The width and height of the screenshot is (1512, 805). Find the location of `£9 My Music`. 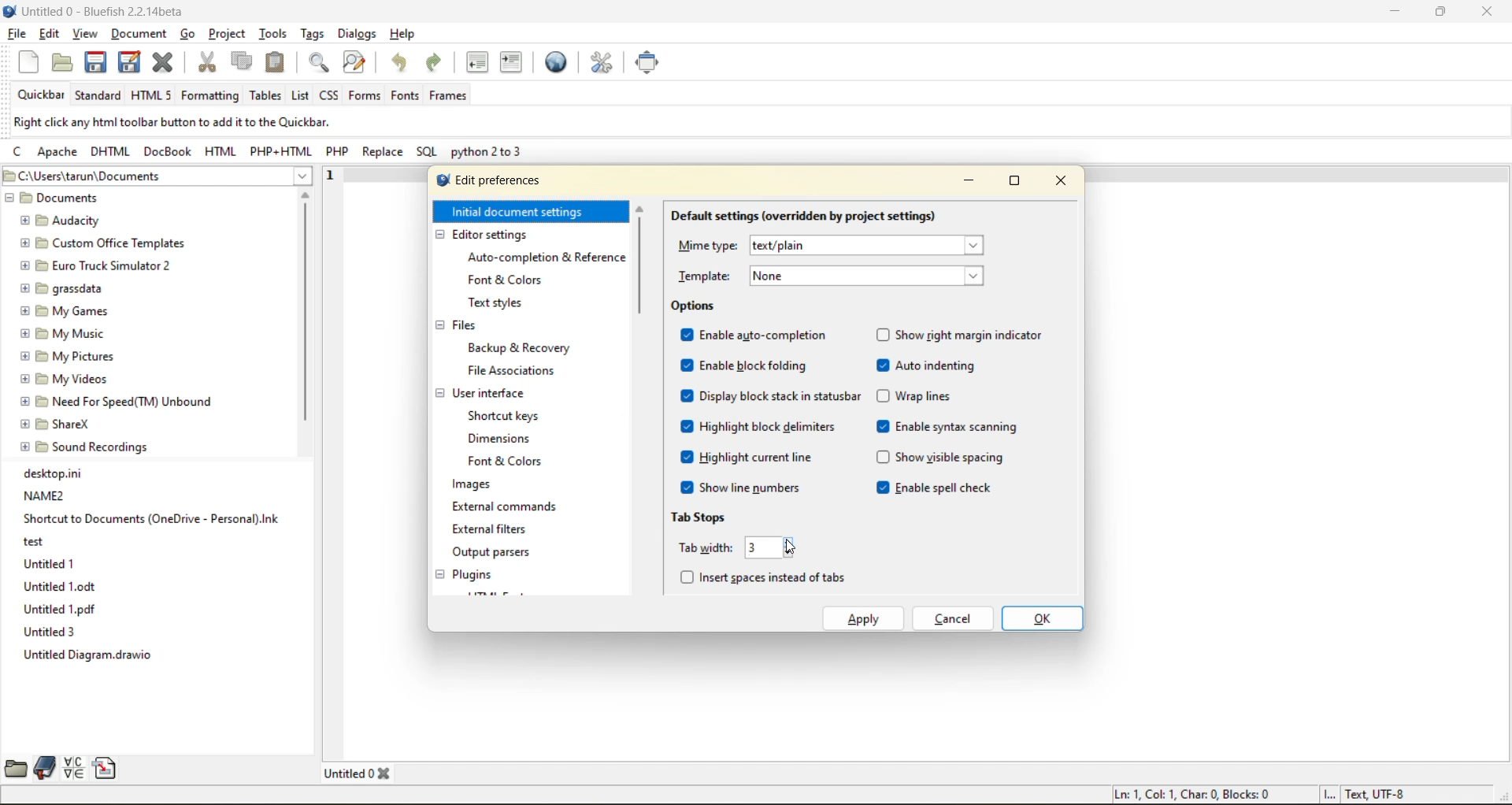

£9 My Music is located at coordinates (62, 333).